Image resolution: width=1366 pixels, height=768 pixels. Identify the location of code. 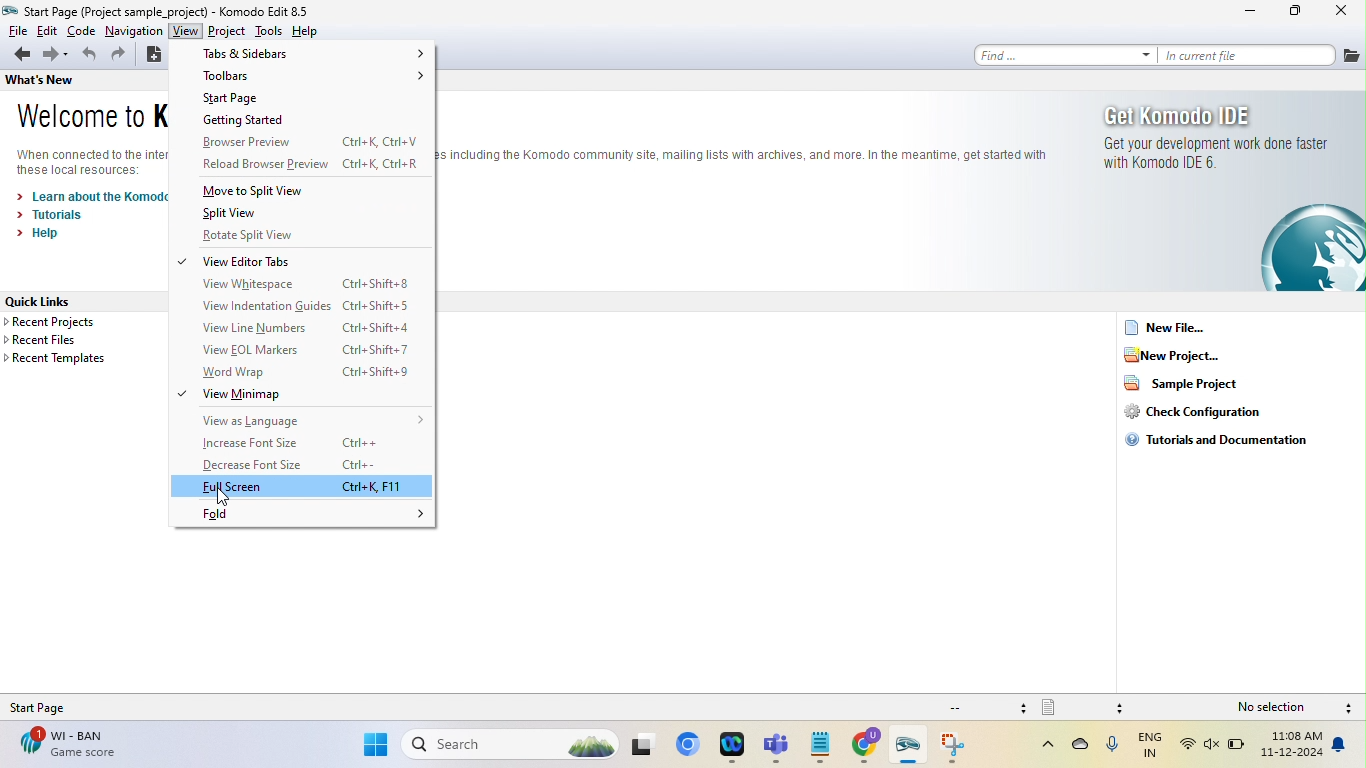
(82, 32).